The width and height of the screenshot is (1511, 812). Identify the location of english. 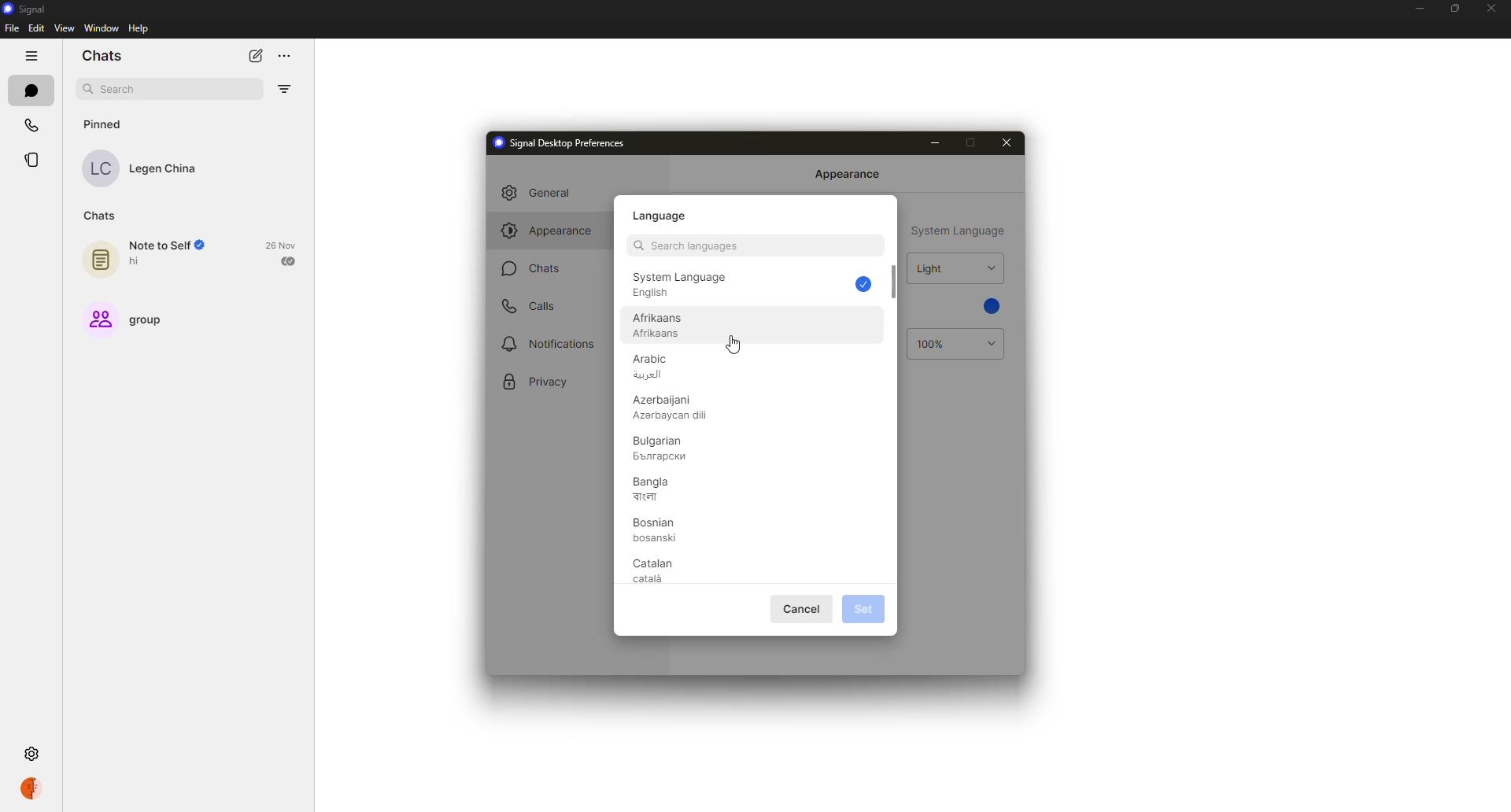
(681, 286).